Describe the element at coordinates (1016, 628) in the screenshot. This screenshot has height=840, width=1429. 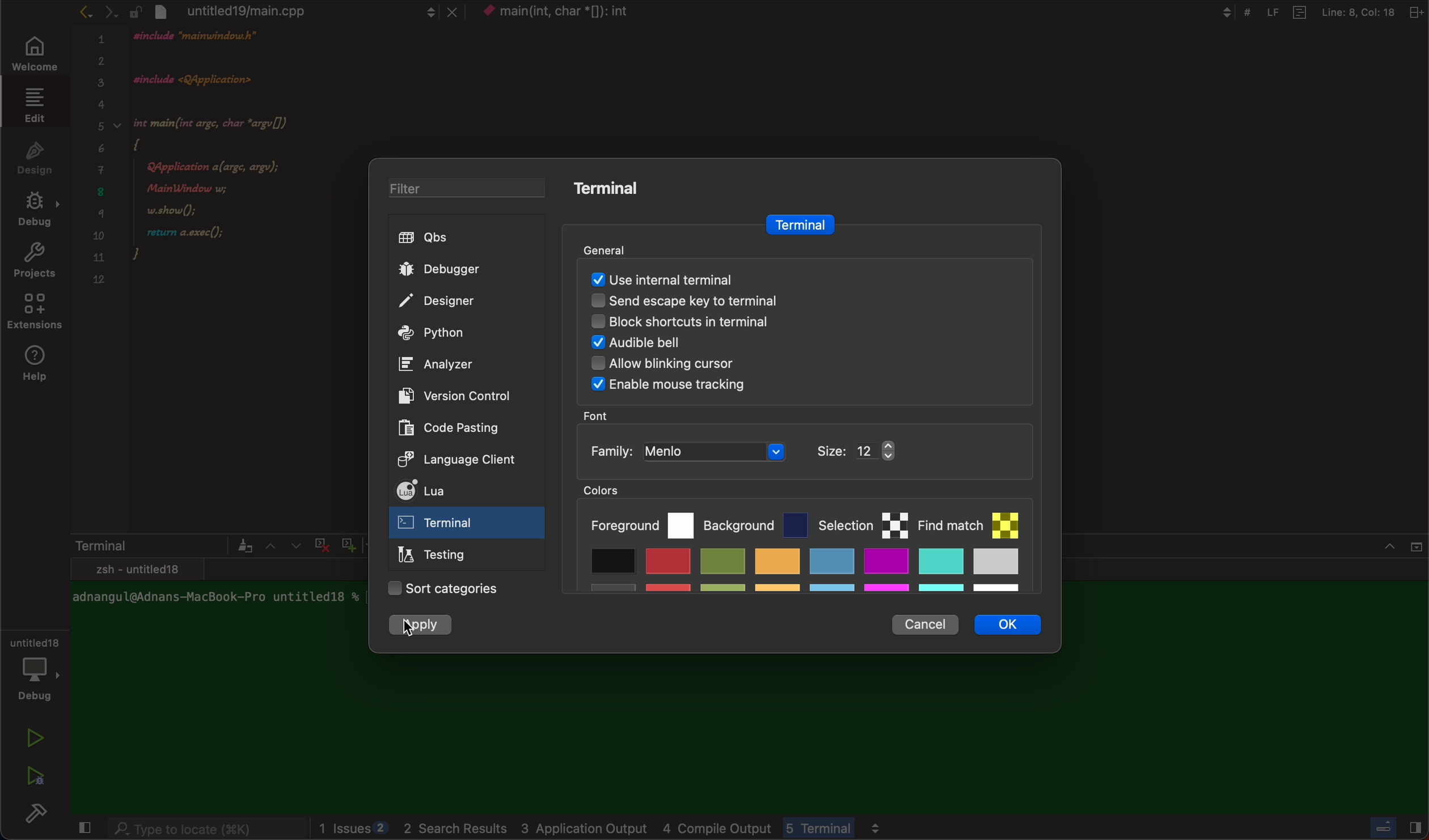
I see `ok` at that location.